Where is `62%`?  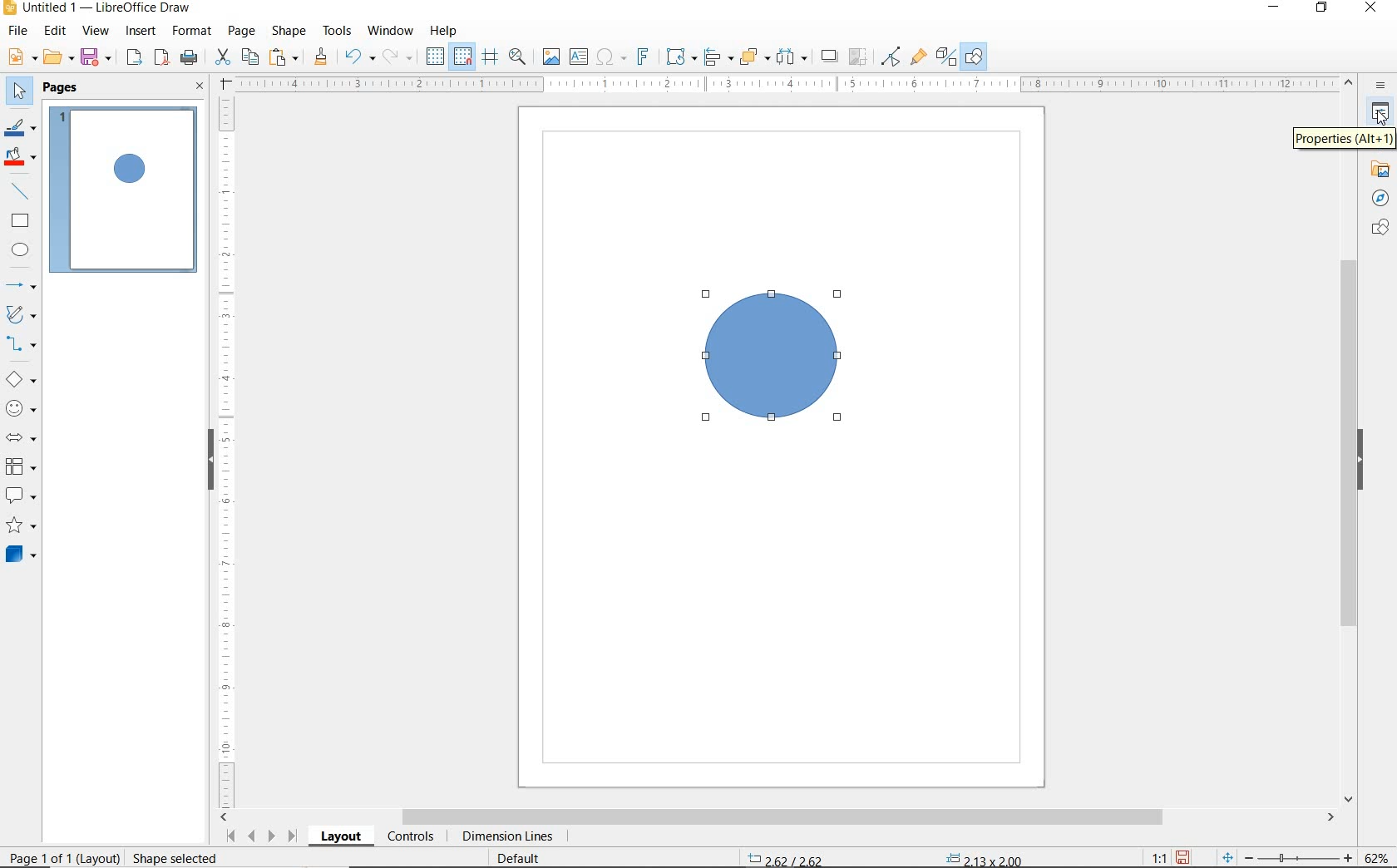
62% is located at coordinates (1380, 857).